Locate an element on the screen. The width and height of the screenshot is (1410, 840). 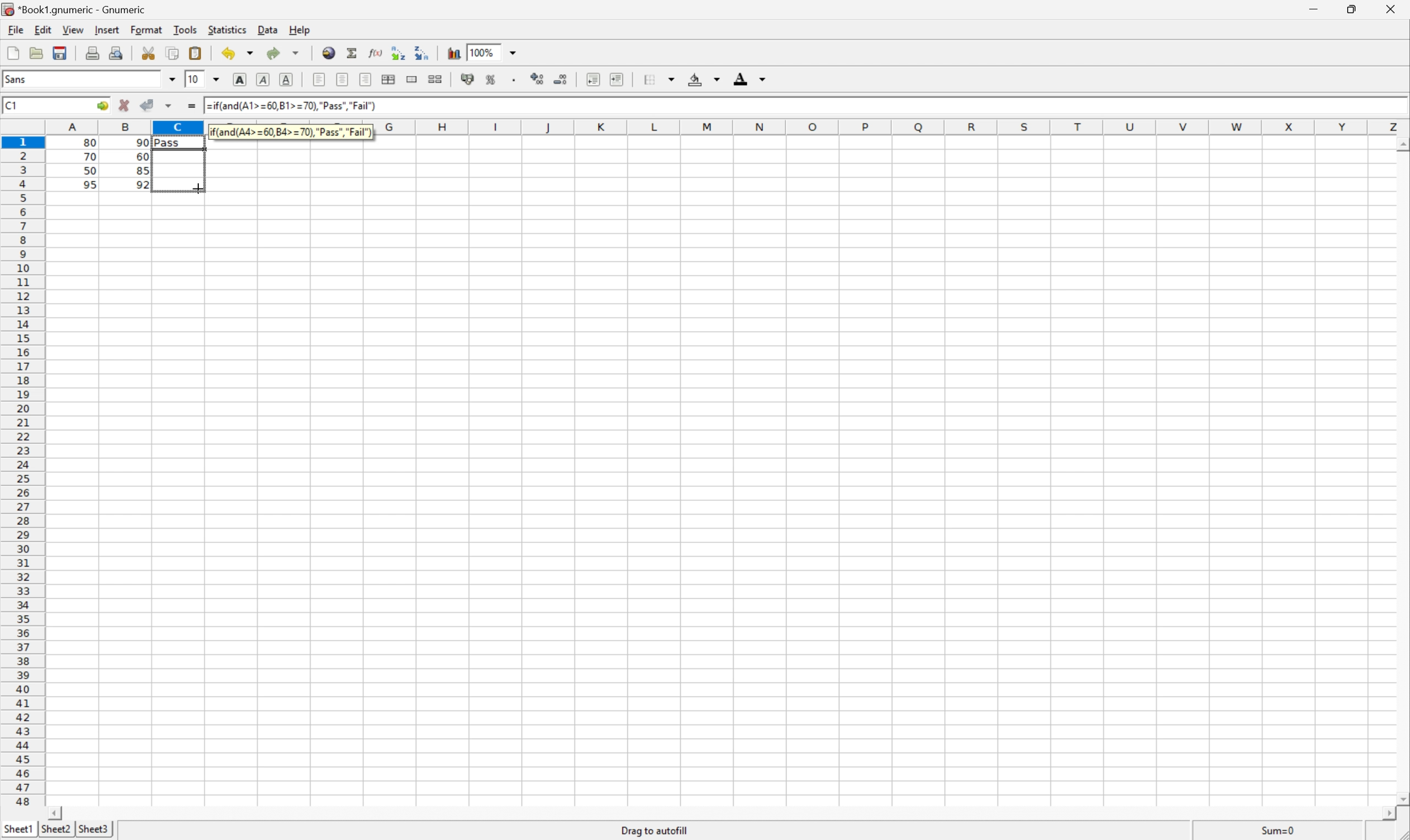
Sheet2 is located at coordinates (55, 829).